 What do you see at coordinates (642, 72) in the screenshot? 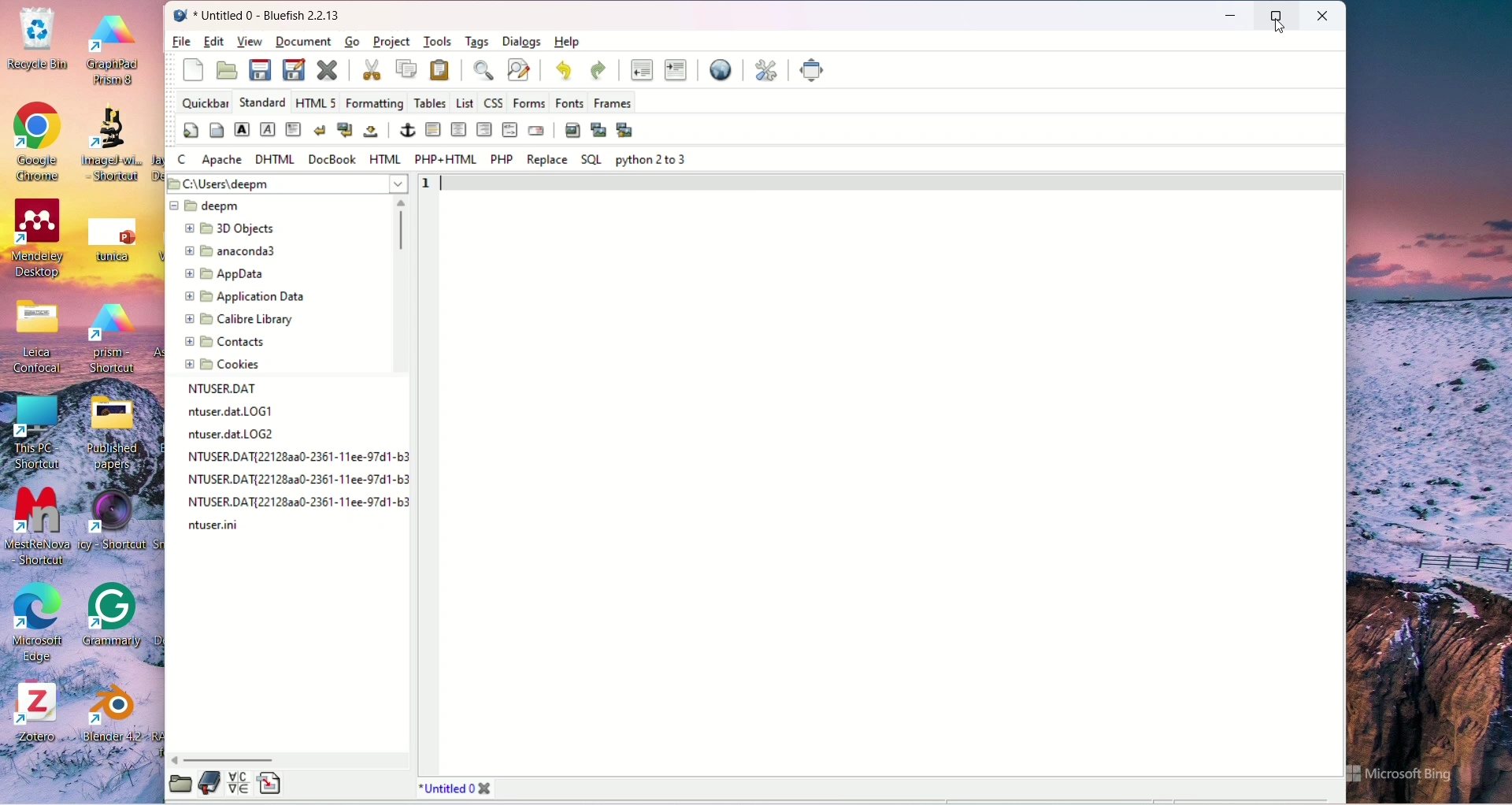
I see `unindent` at bounding box center [642, 72].